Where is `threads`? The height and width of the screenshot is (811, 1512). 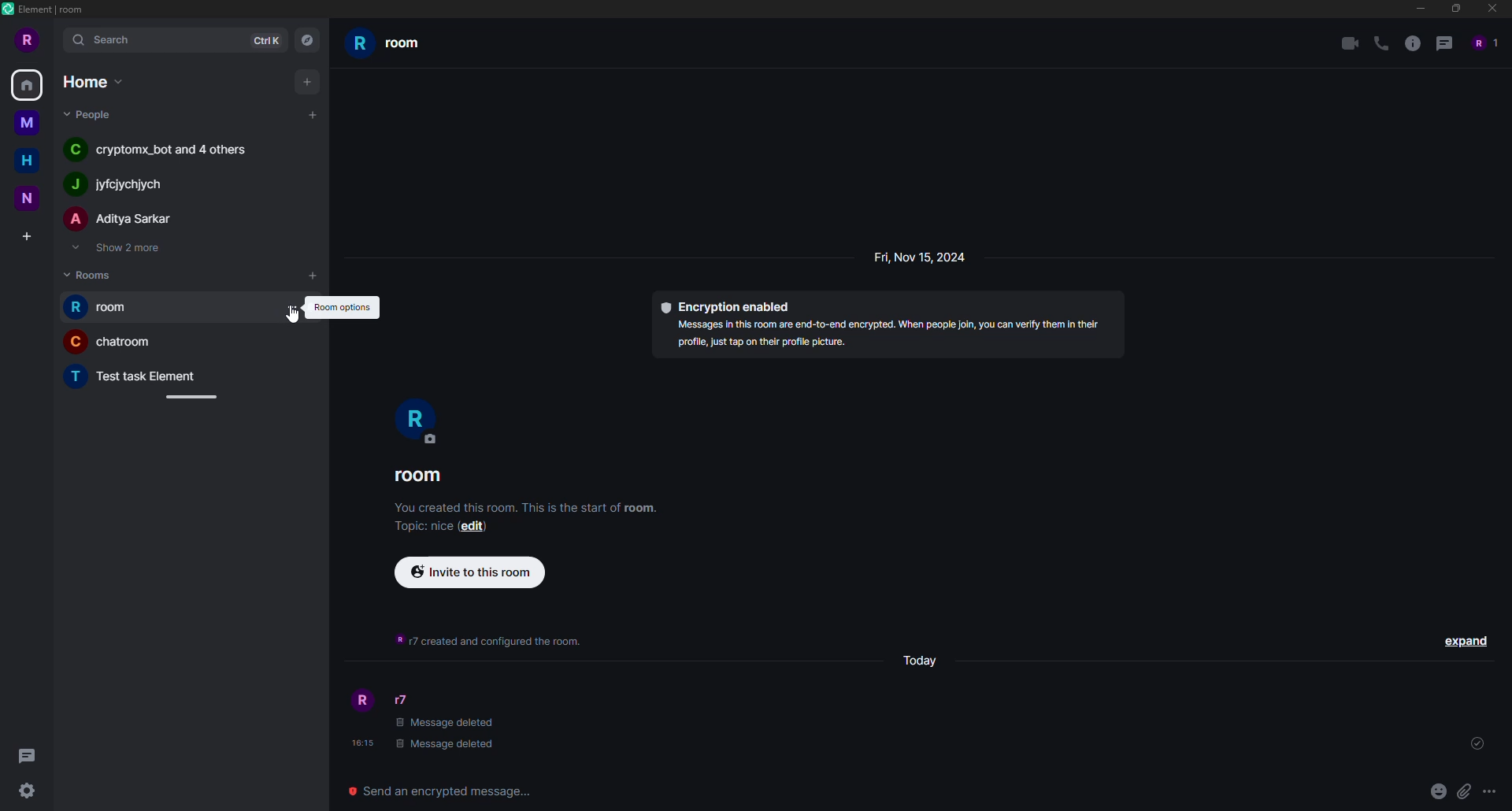 threads is located at coordinates (31, 755).